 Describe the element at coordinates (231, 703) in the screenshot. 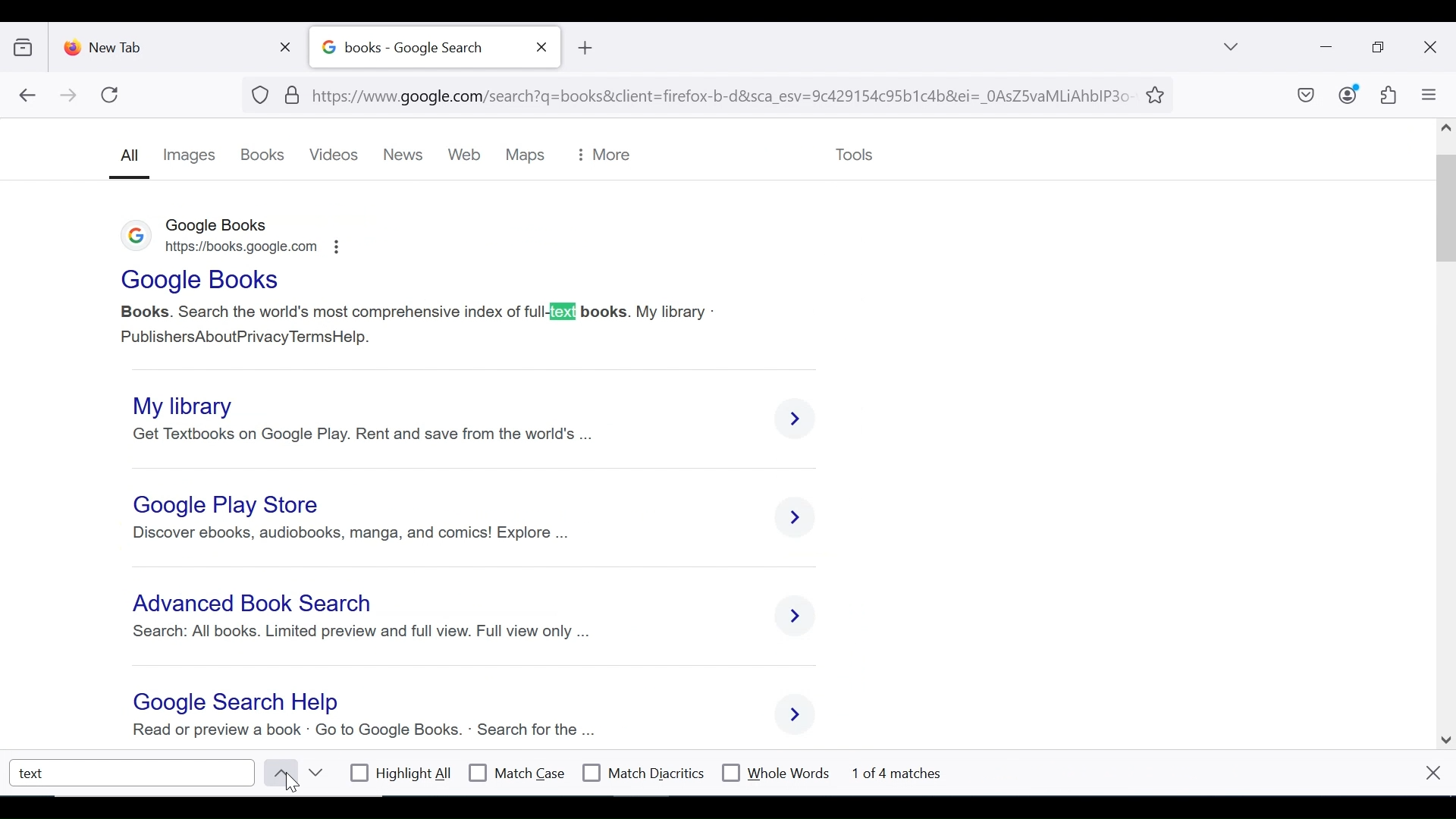

I see `google search help` at that location.